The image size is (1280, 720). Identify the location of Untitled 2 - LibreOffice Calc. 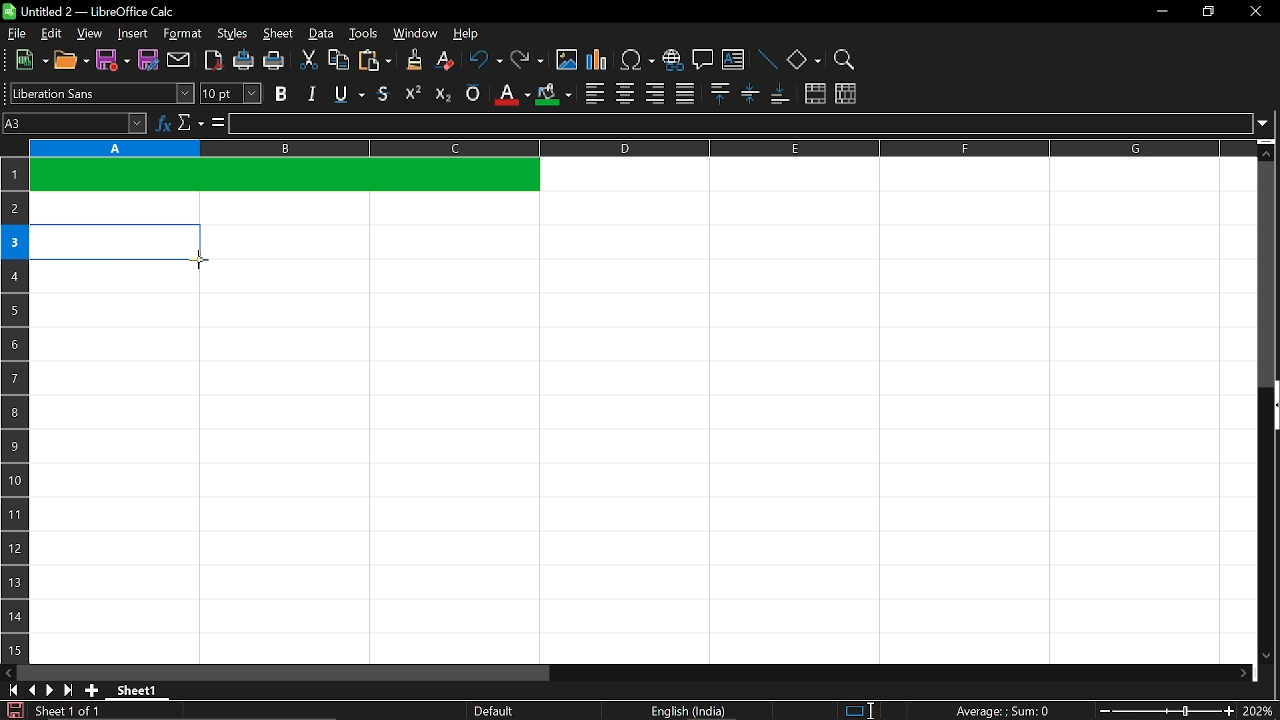
(90, 11).